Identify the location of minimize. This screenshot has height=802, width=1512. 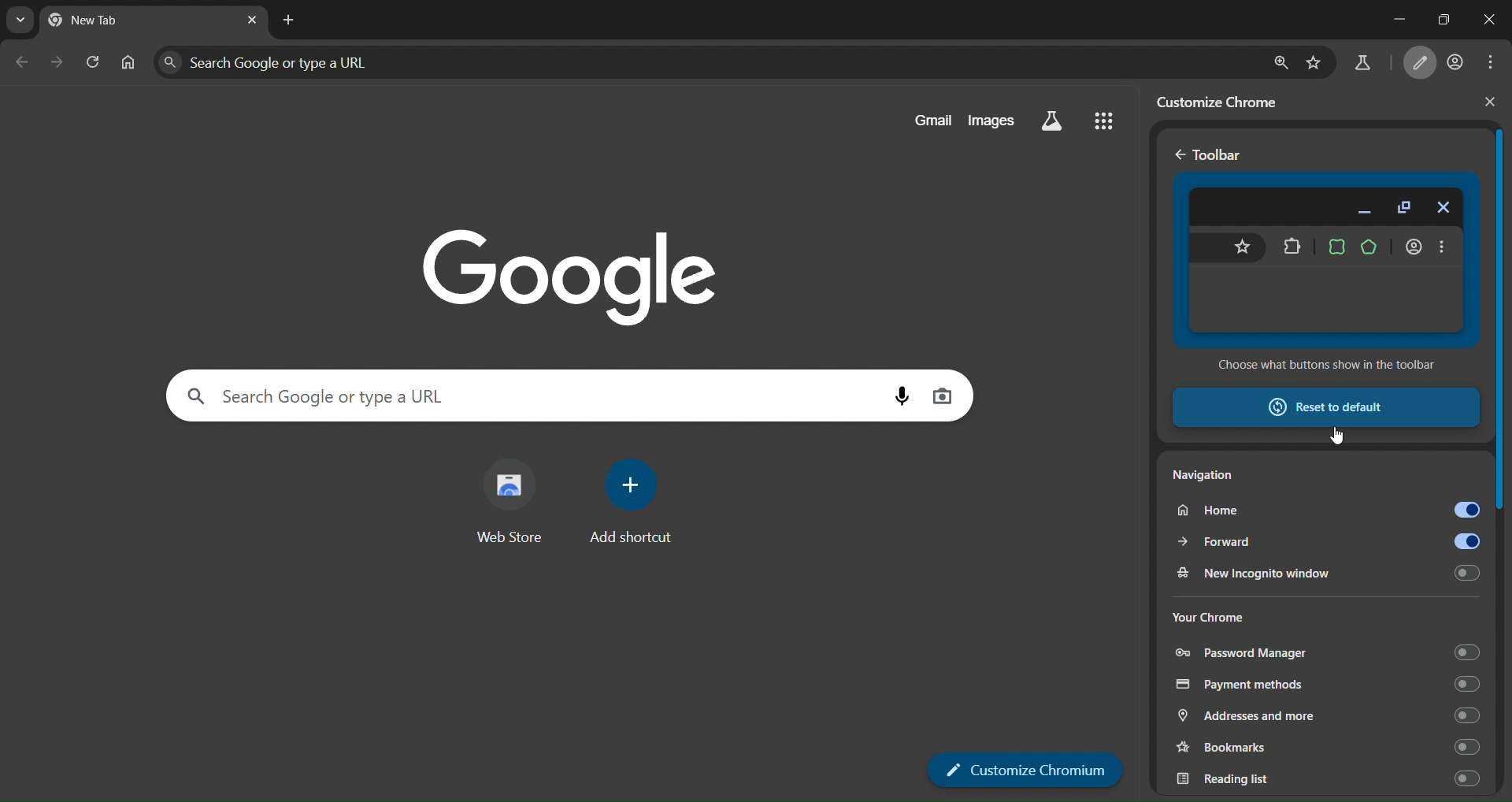
(1392, 13).